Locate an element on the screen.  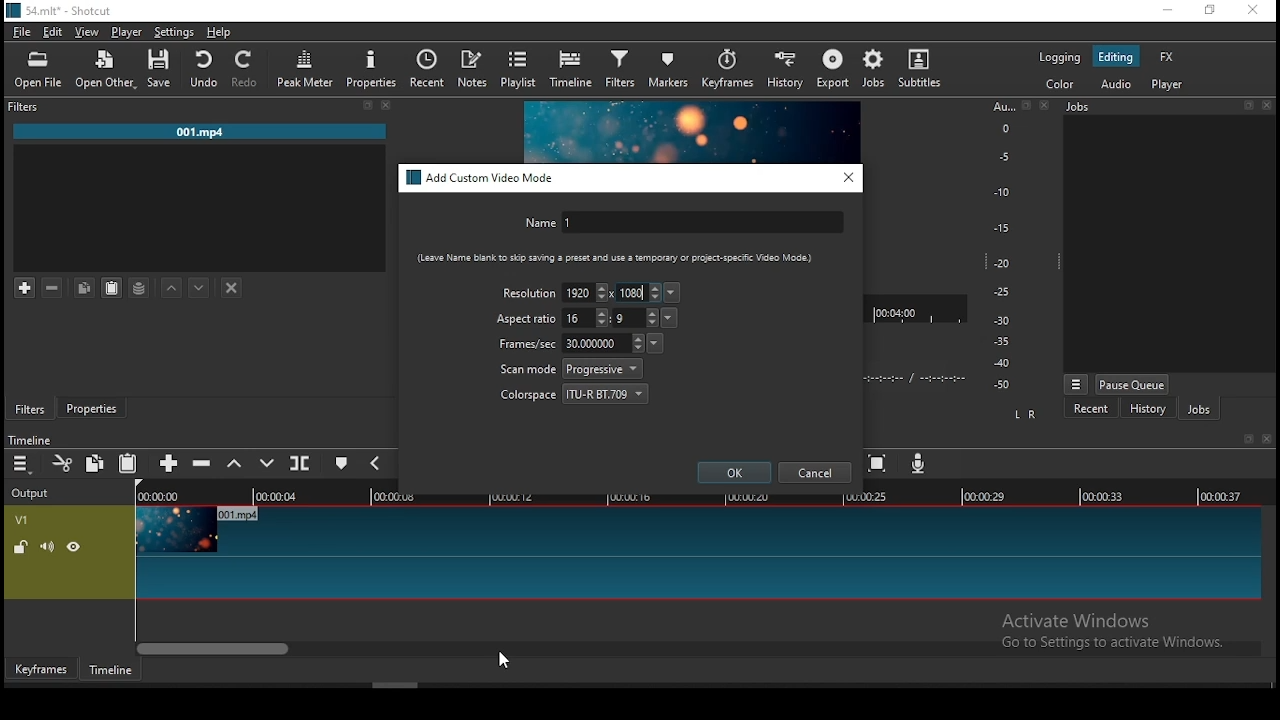
close is located at coordinates (1270, 106).